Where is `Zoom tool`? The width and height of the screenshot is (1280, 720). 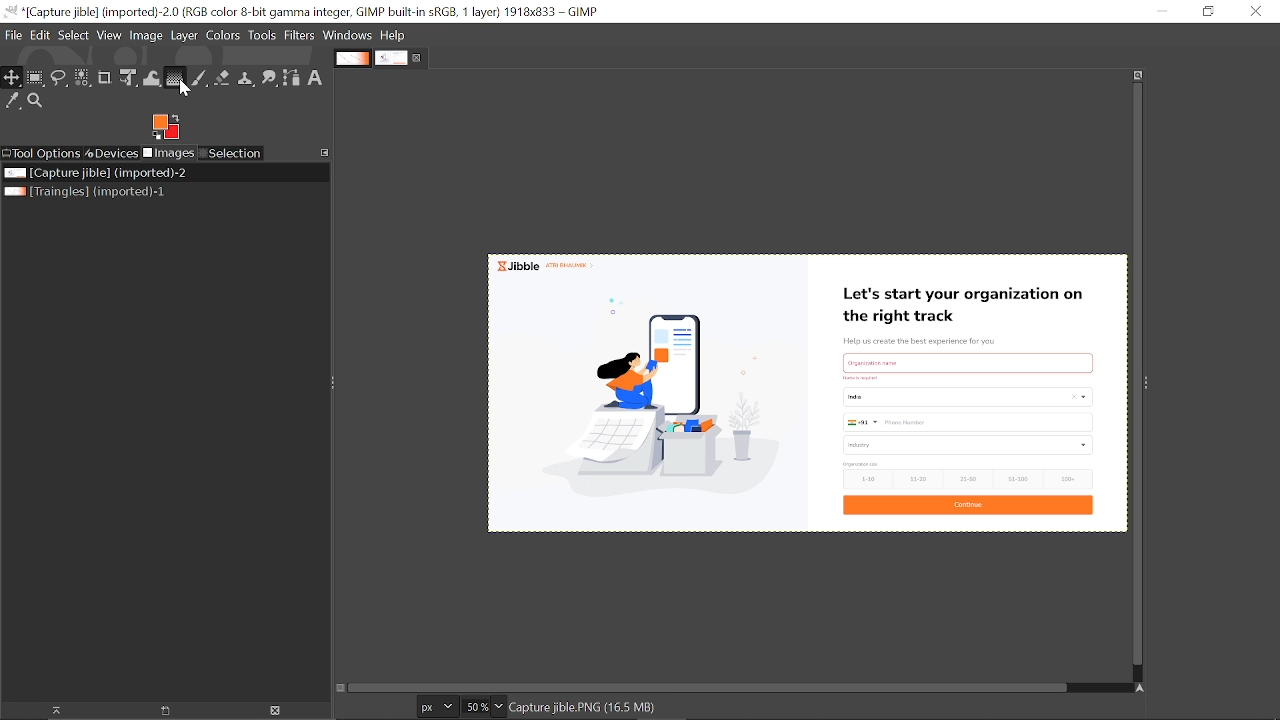 Zoom tool is located at coordinates (35, 100).